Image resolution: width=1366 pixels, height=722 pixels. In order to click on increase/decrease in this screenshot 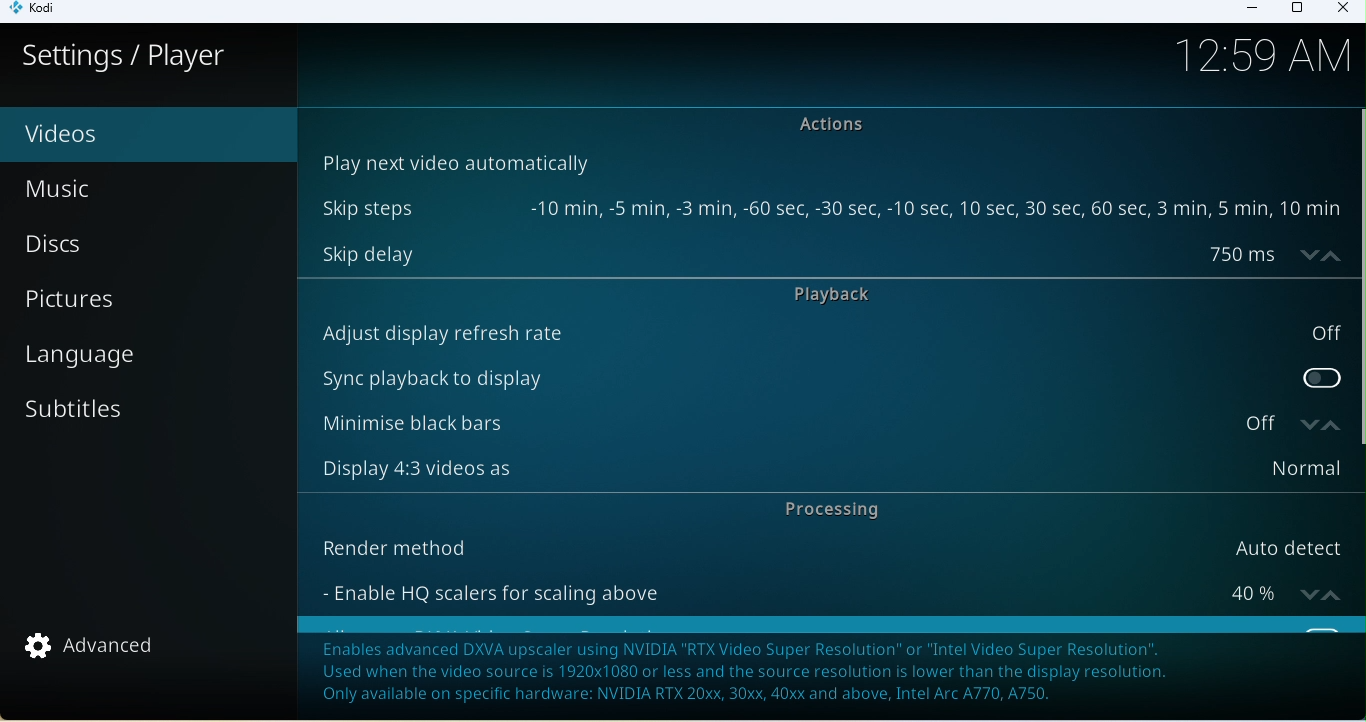, I will do `click(1316, 423)`.